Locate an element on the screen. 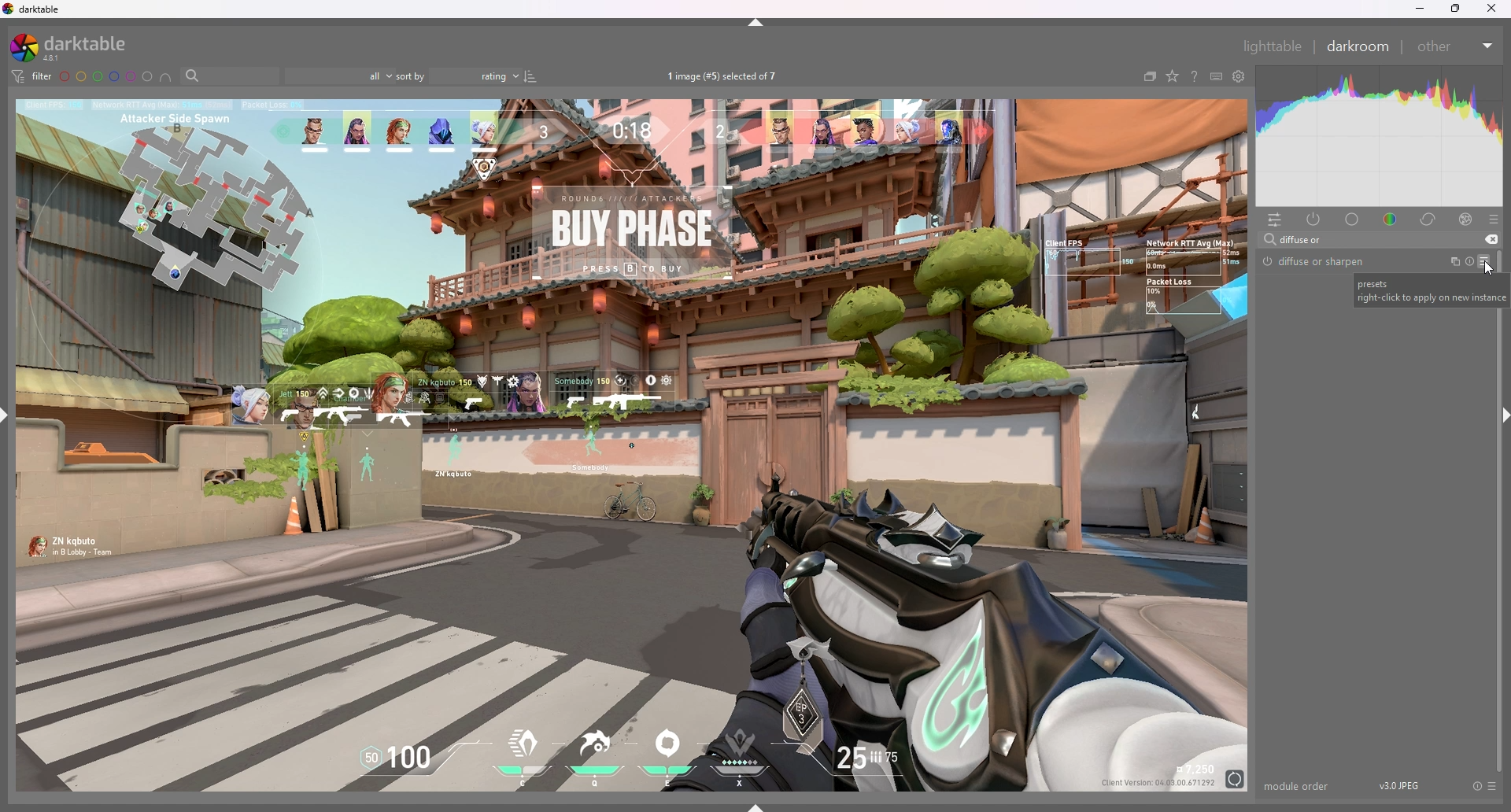 Image resolution: width=1511 pixels, height=812 pixels. diffuse or sharpen is located at coordinates (1314, 261).